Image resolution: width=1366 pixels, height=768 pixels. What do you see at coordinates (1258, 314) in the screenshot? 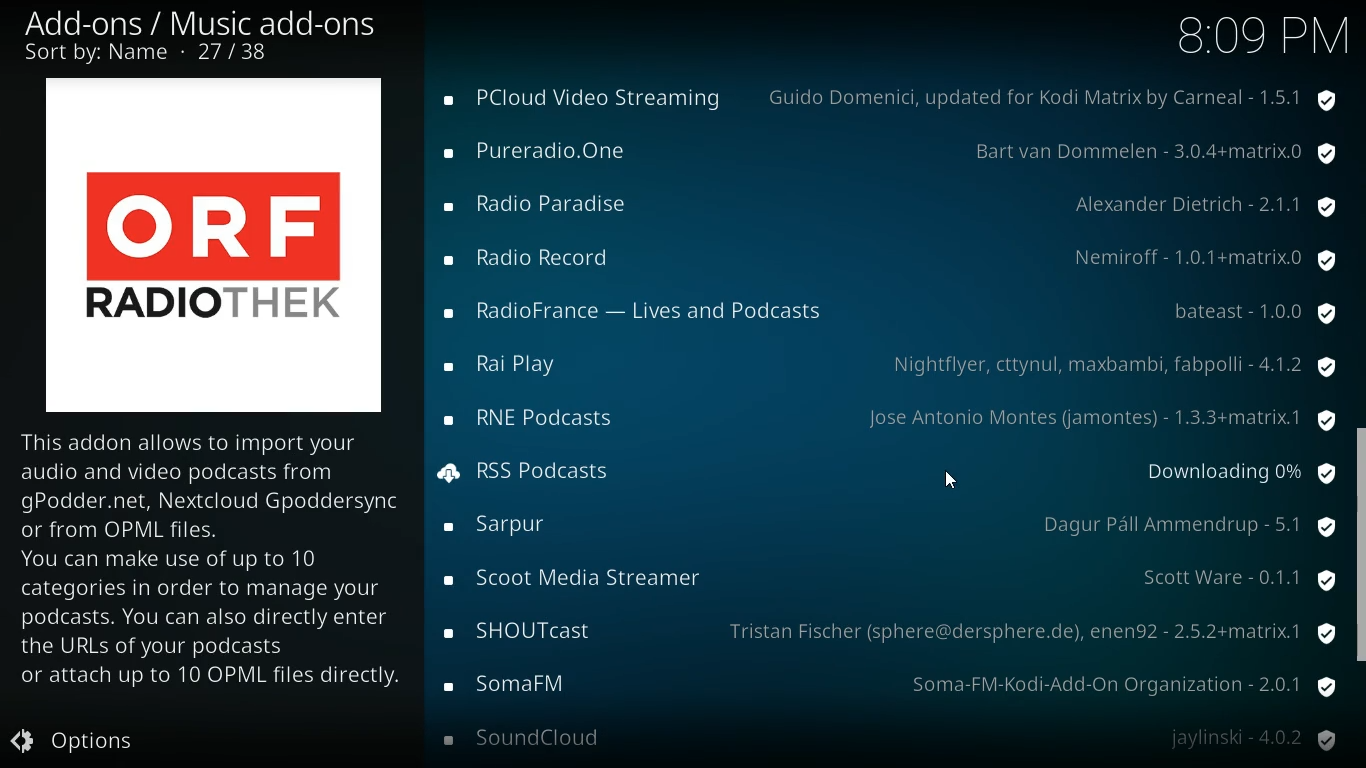
I see `provider` at bounding box center [1258, 314].